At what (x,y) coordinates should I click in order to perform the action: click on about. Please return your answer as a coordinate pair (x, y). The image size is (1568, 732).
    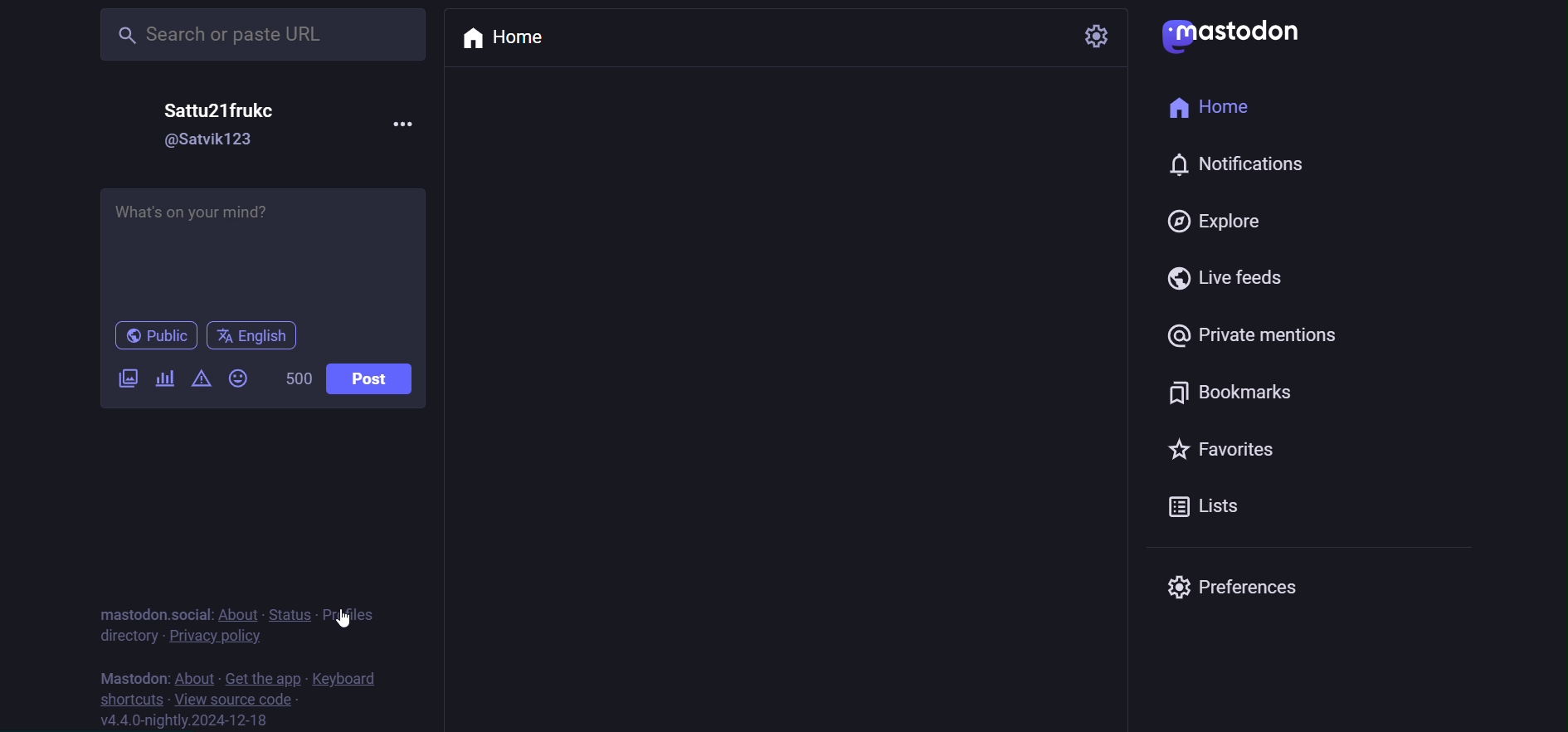
    Looking at the image, I should click on (237, 610).